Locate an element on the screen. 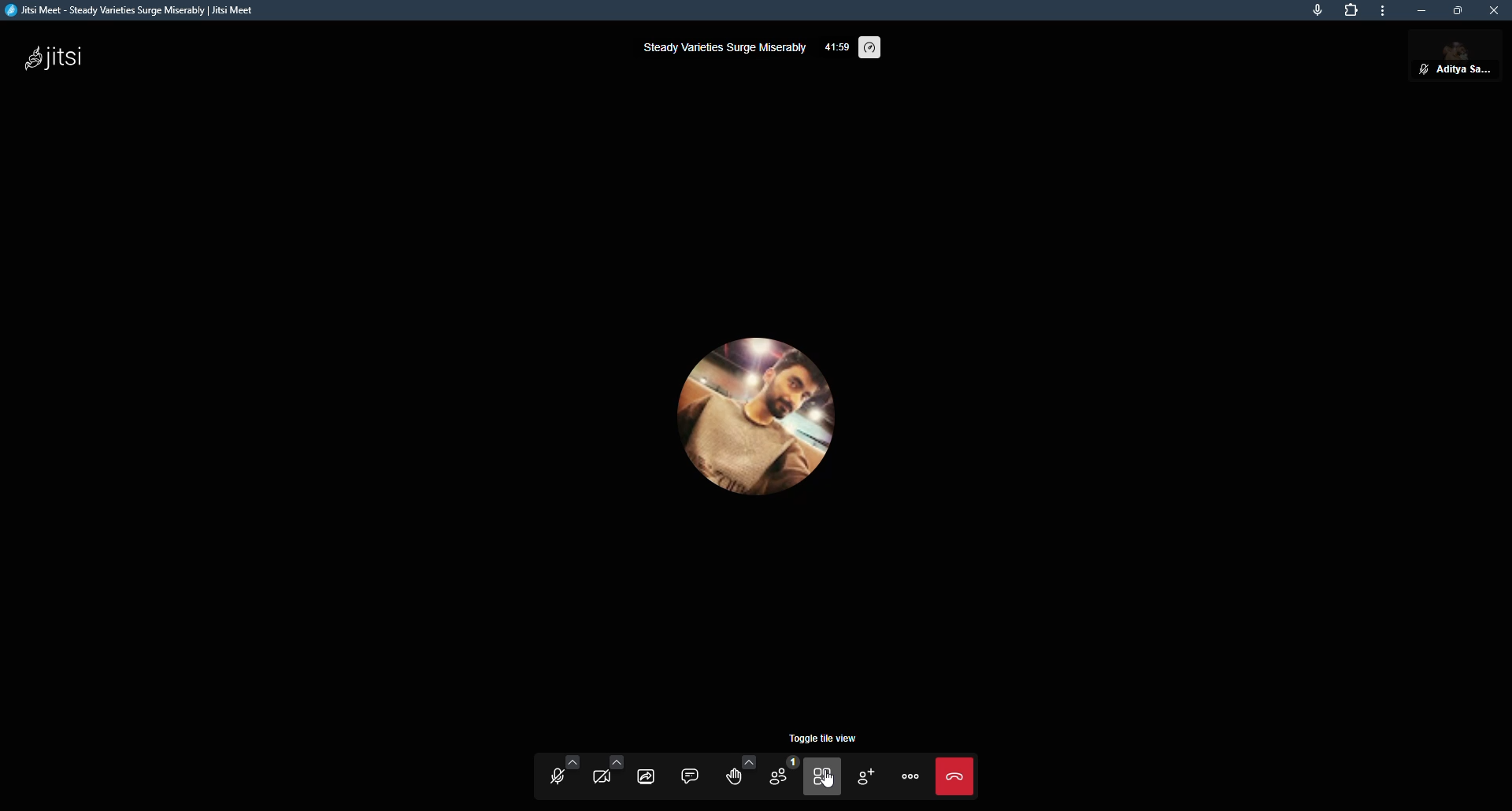 Image resolution: width=1512 pixels, height=811 pixels. jitsi meet is located at coordinates (133, 12).